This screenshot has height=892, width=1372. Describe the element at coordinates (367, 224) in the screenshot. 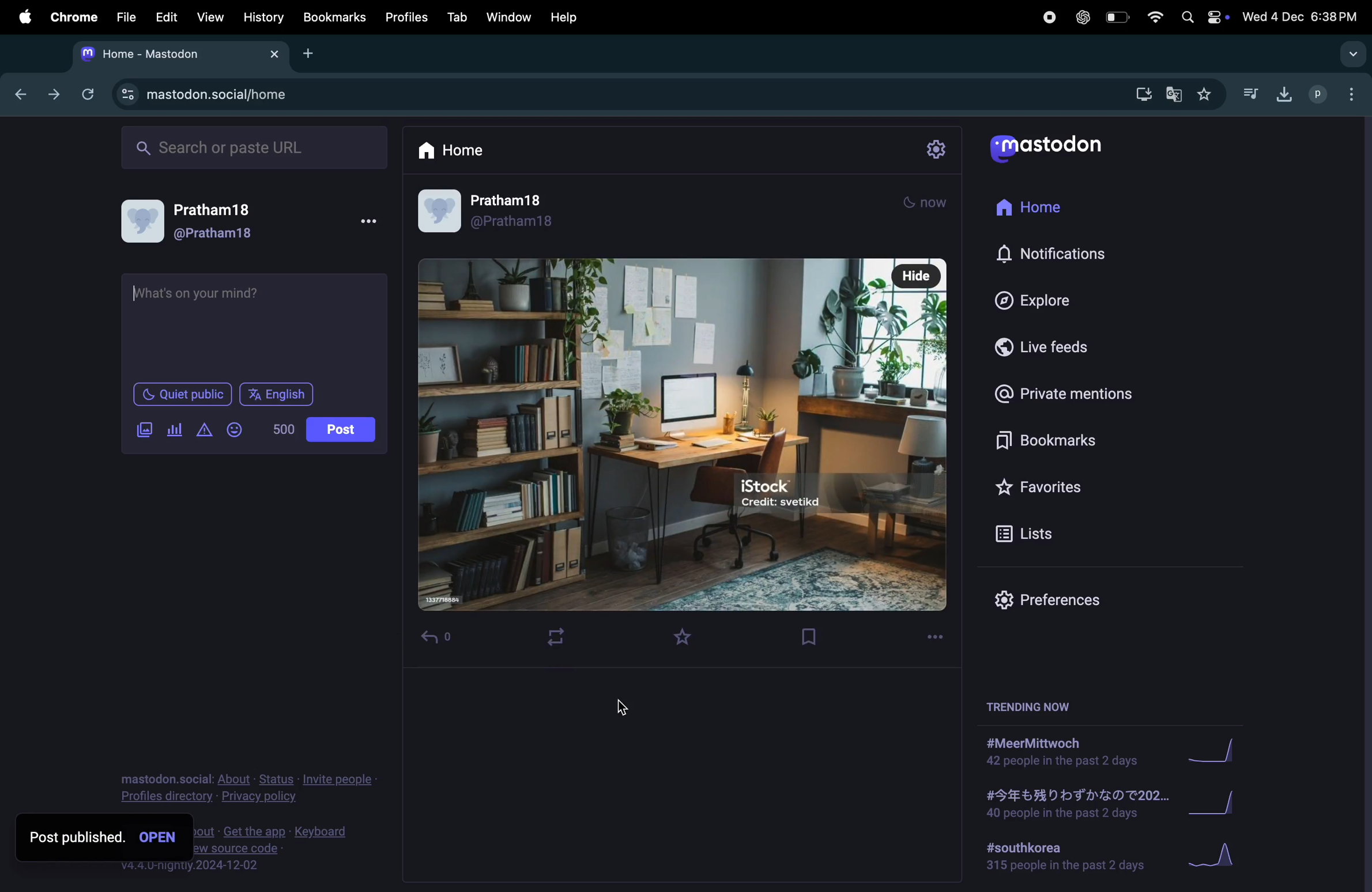

I see `options` at that location.